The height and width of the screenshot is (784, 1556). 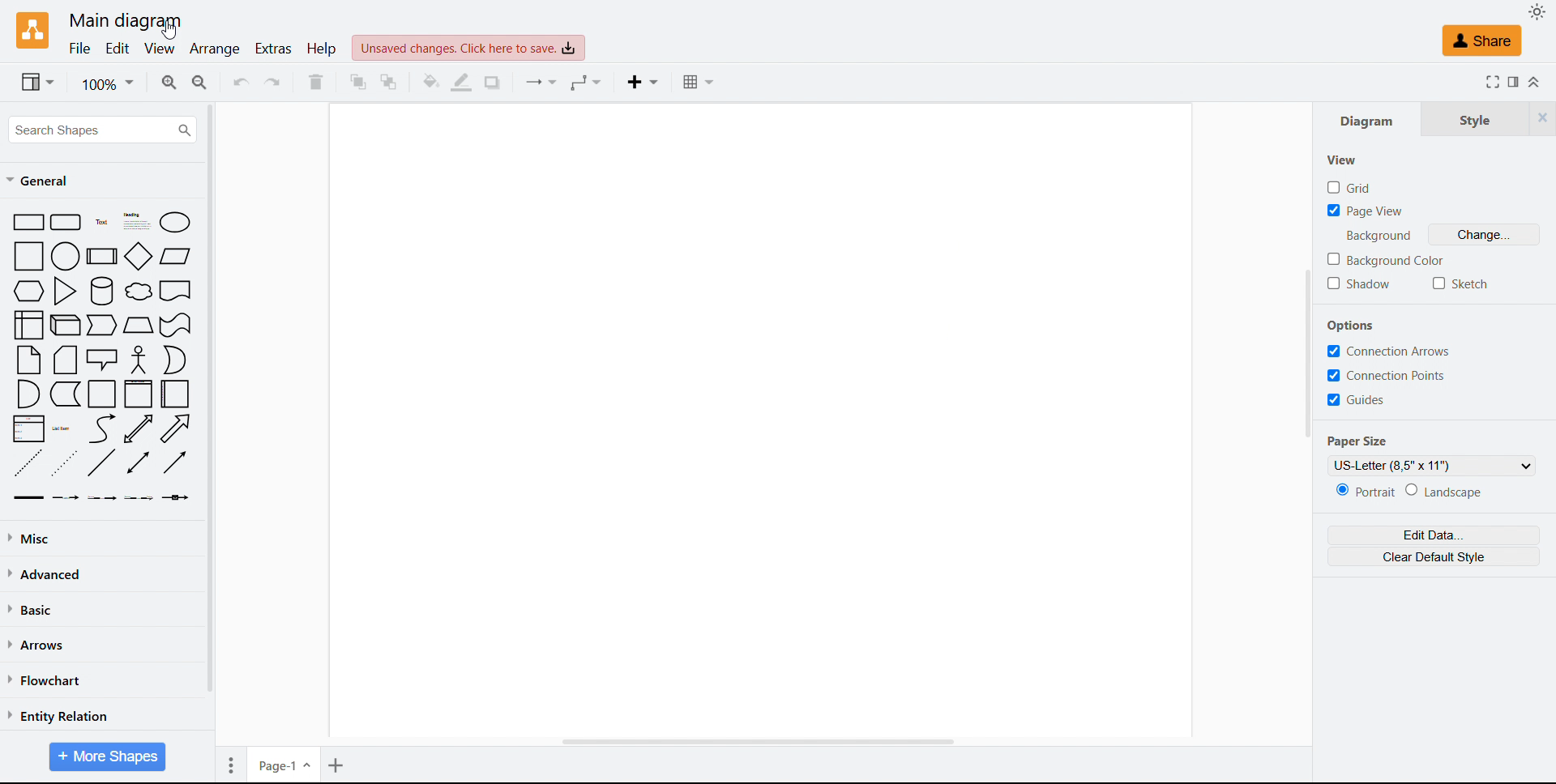 What do you see at coordinates (1360, 284) in the screenshot?
I see `Shadow ` at bounding box center [1360, 284].